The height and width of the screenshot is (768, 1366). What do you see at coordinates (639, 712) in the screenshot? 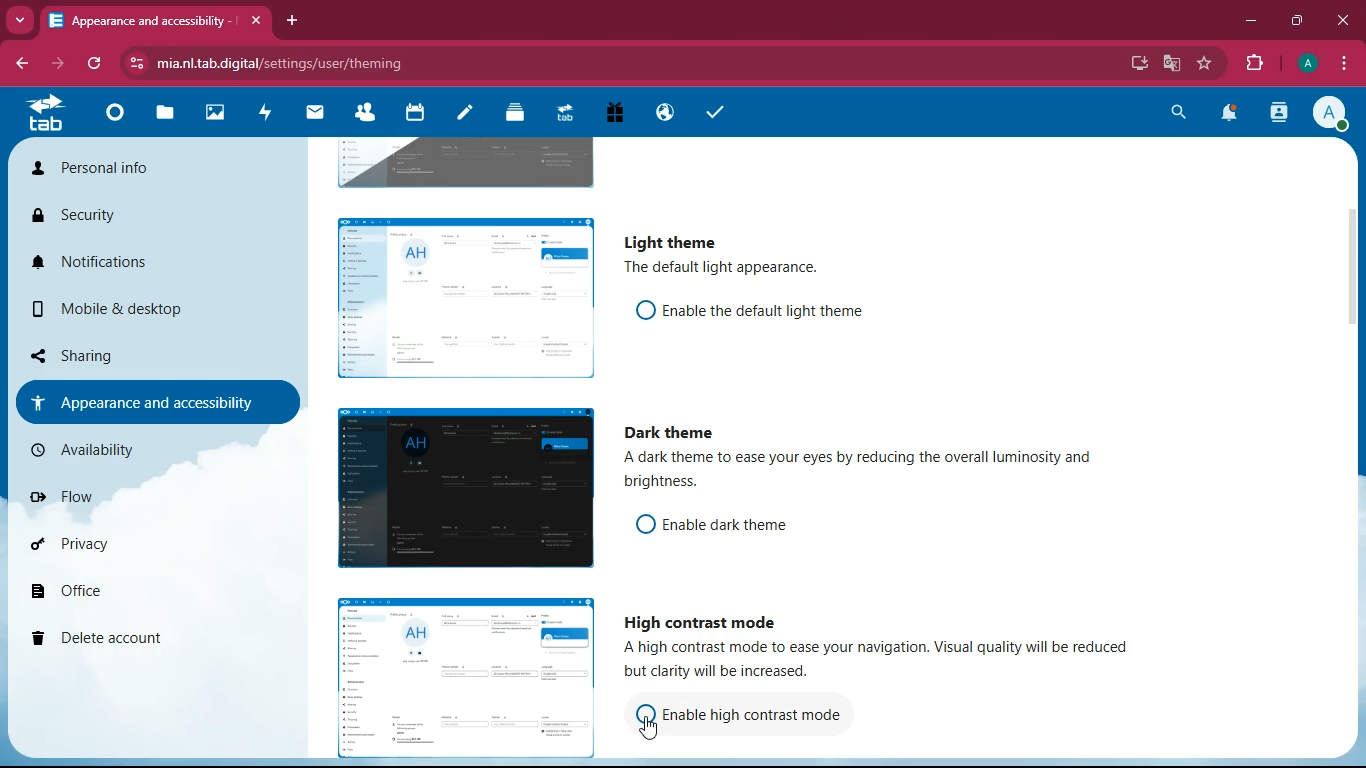
I see `on/off button` at bounding box center [639, 712].